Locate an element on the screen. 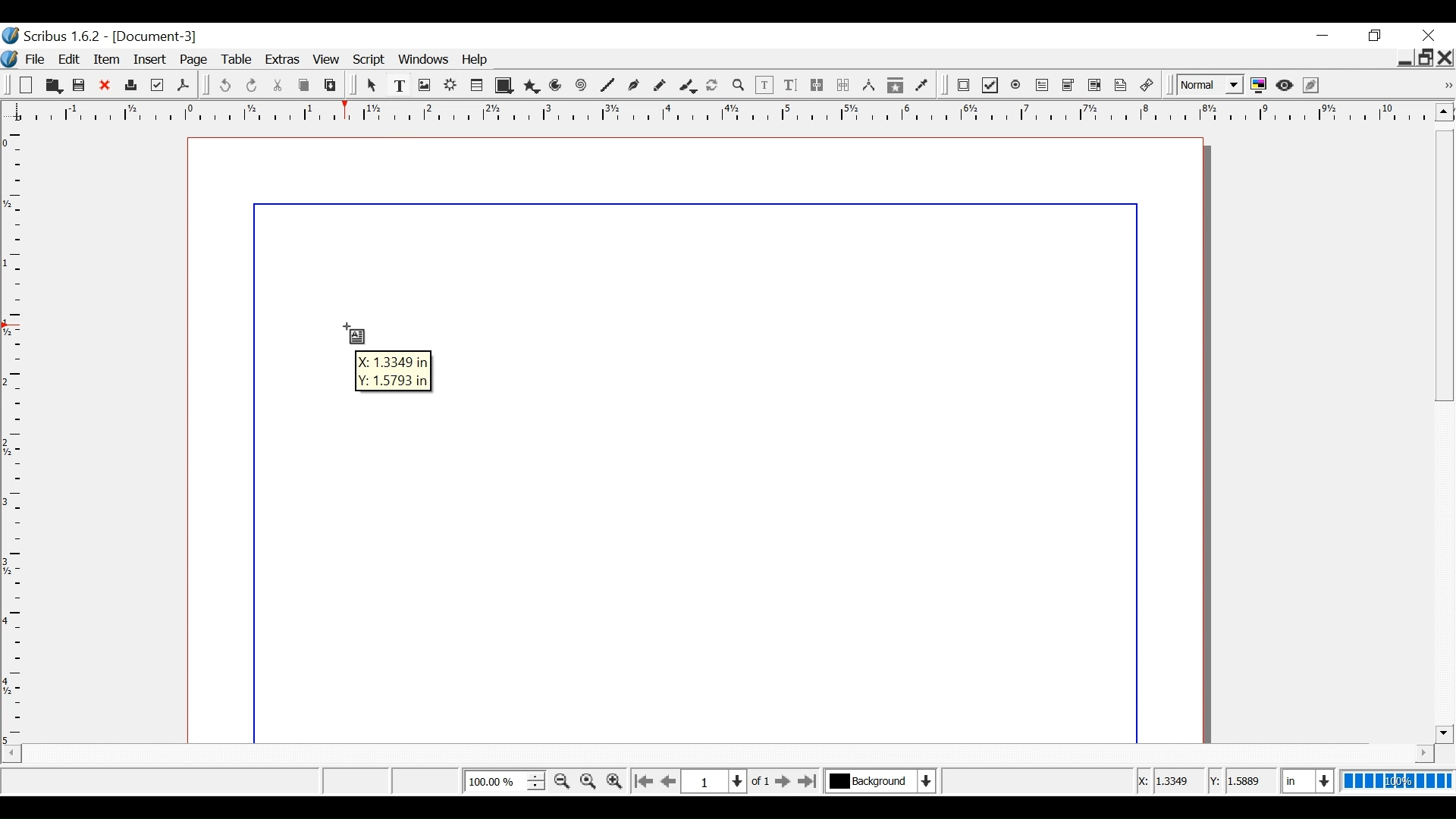 Image resolution: width=1456 pixels, height=819 pixels. Text Frame is located at coordinates (399, 86).